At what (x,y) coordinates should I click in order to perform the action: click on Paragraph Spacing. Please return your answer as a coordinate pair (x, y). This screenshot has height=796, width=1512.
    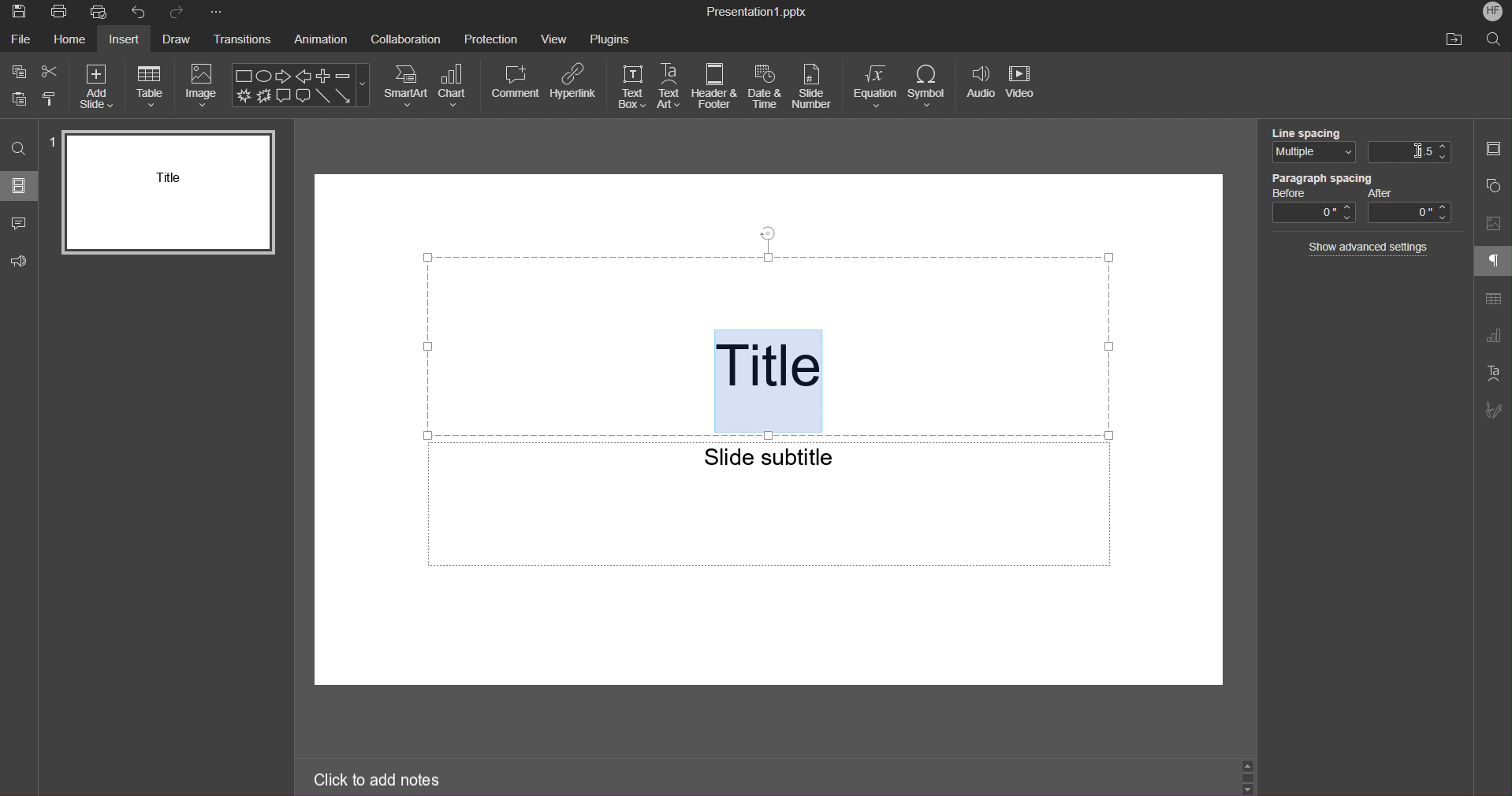
    Looking at the image, I should click on (1323, 178).